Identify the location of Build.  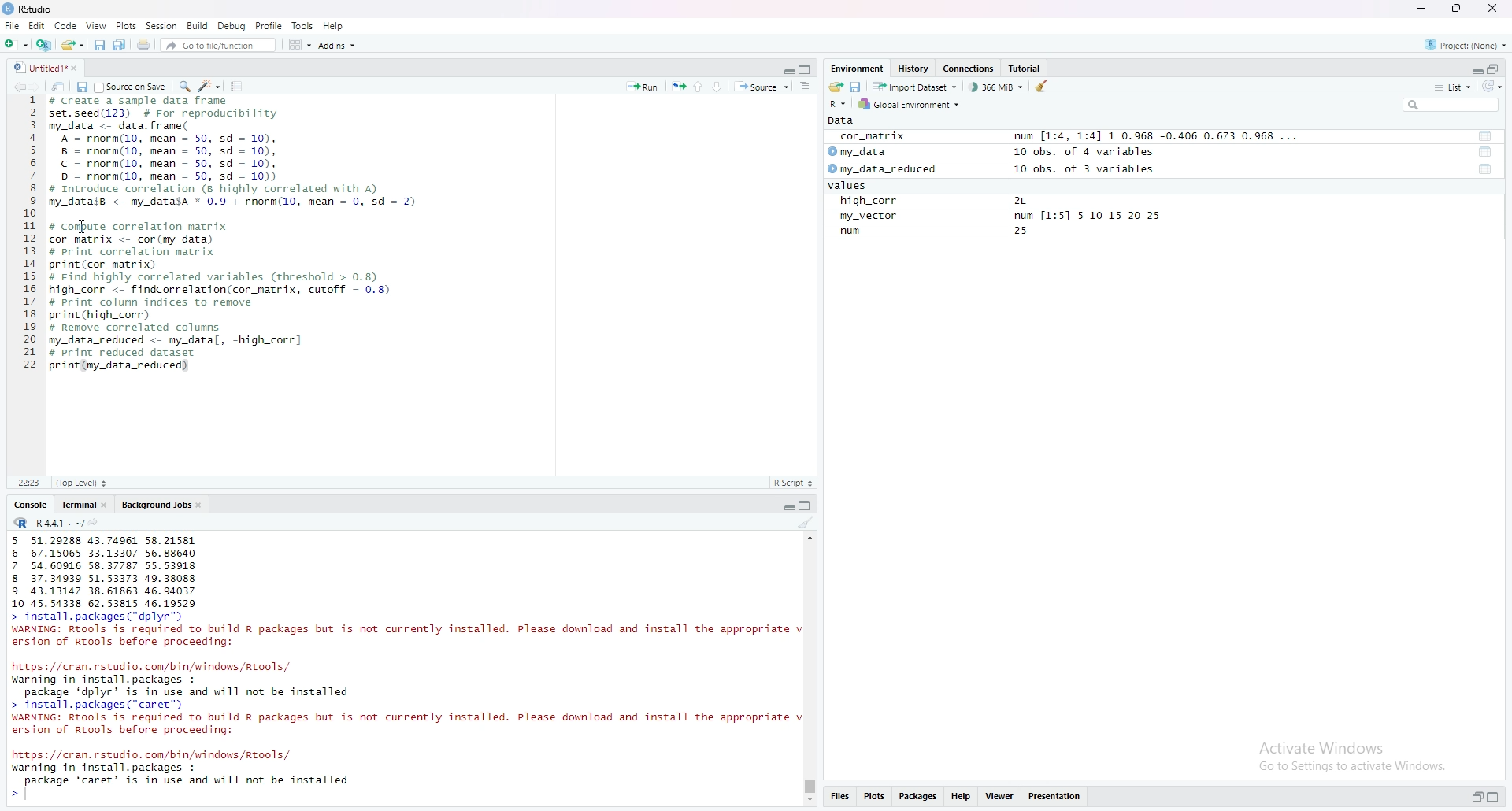
(197, 26).